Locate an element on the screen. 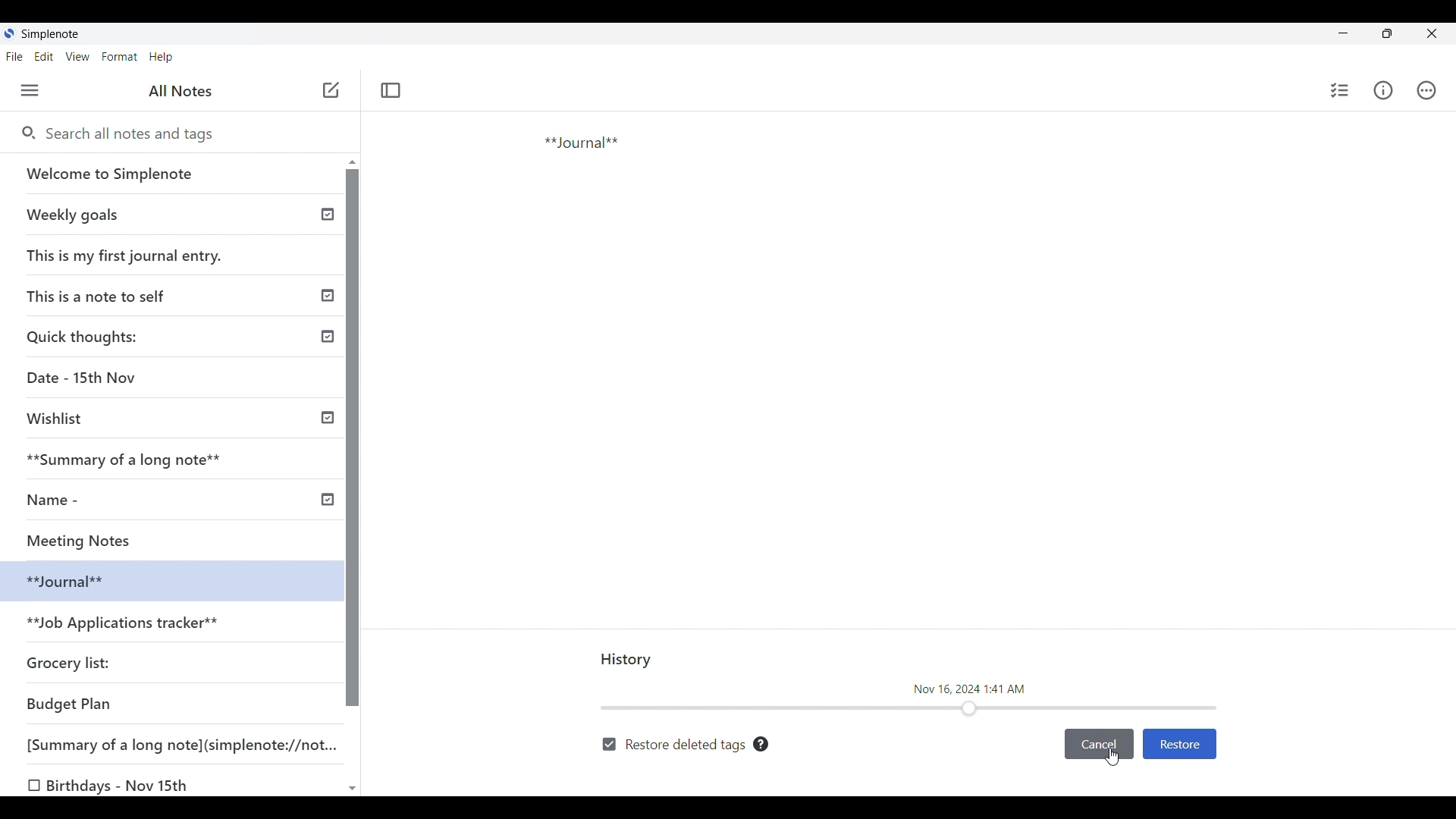  Search all notes and tags is located at coordinates (189, 134).